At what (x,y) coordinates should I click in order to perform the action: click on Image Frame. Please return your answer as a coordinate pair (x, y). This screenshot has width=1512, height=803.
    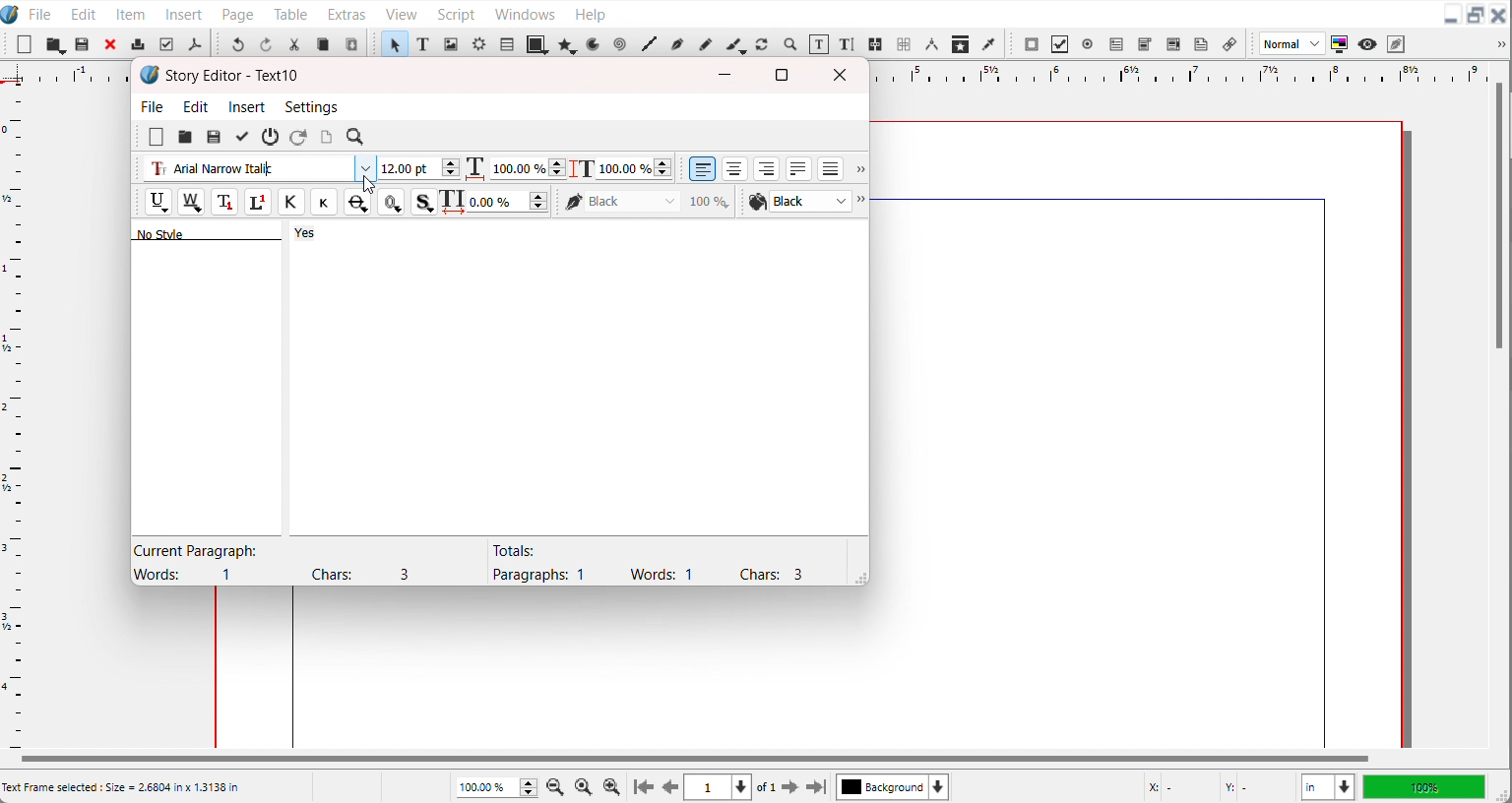
    Looking at the image, I should click on (451, 43).